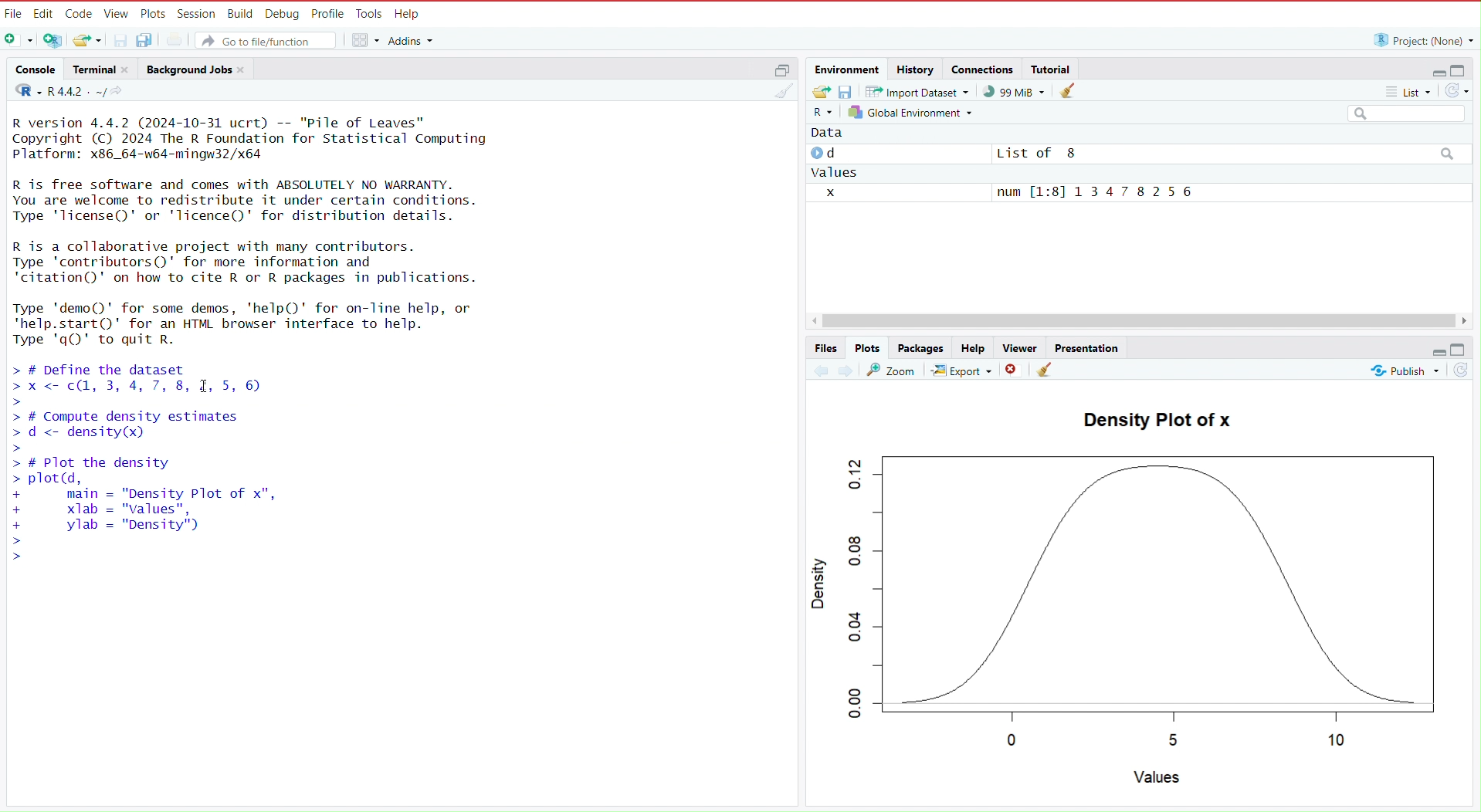 The width and height of the screenshot is (1481, 812). I want to click on debug, so click(281, 12).